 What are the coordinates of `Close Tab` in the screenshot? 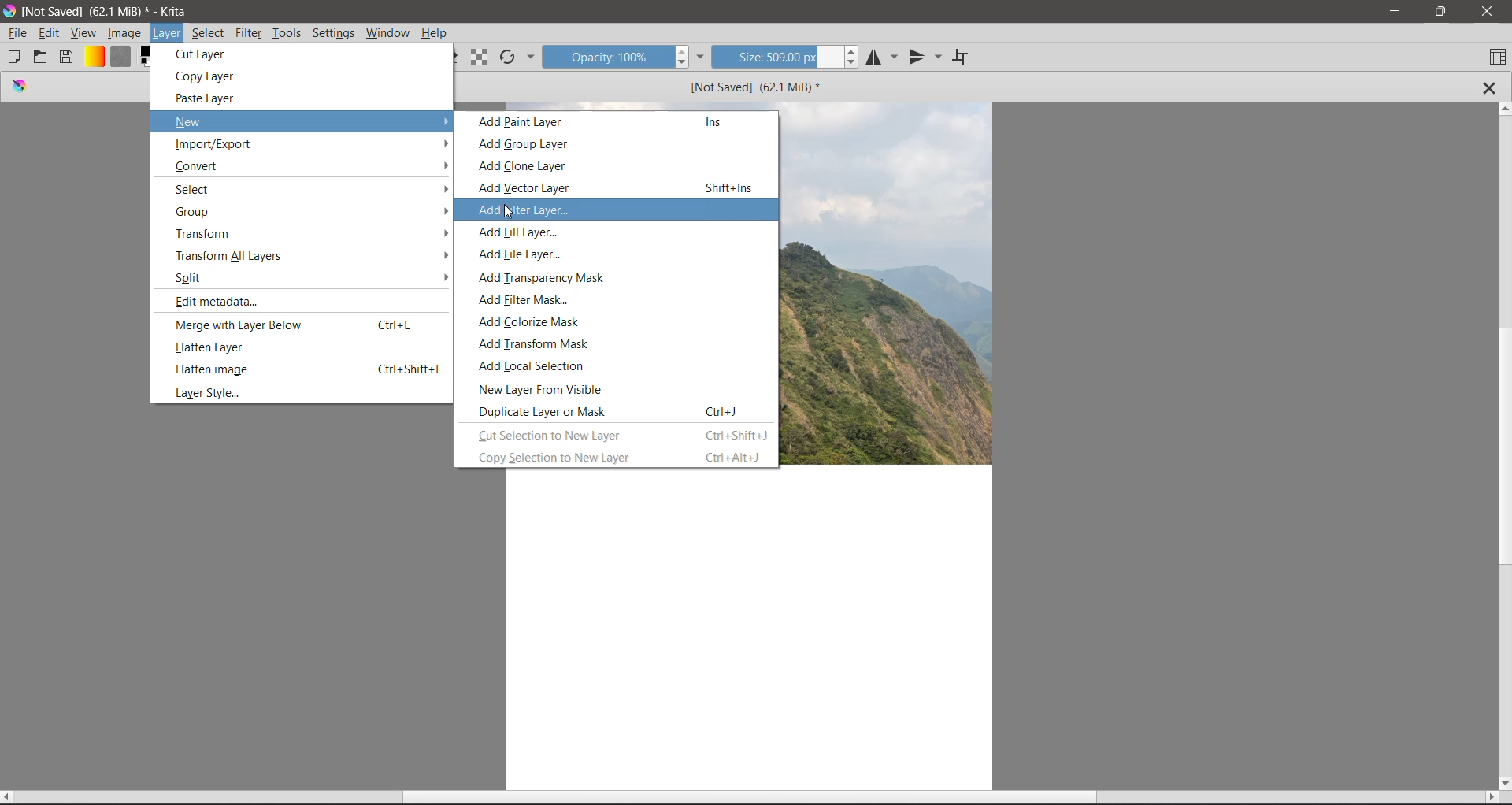 It's located at (1490, 87).